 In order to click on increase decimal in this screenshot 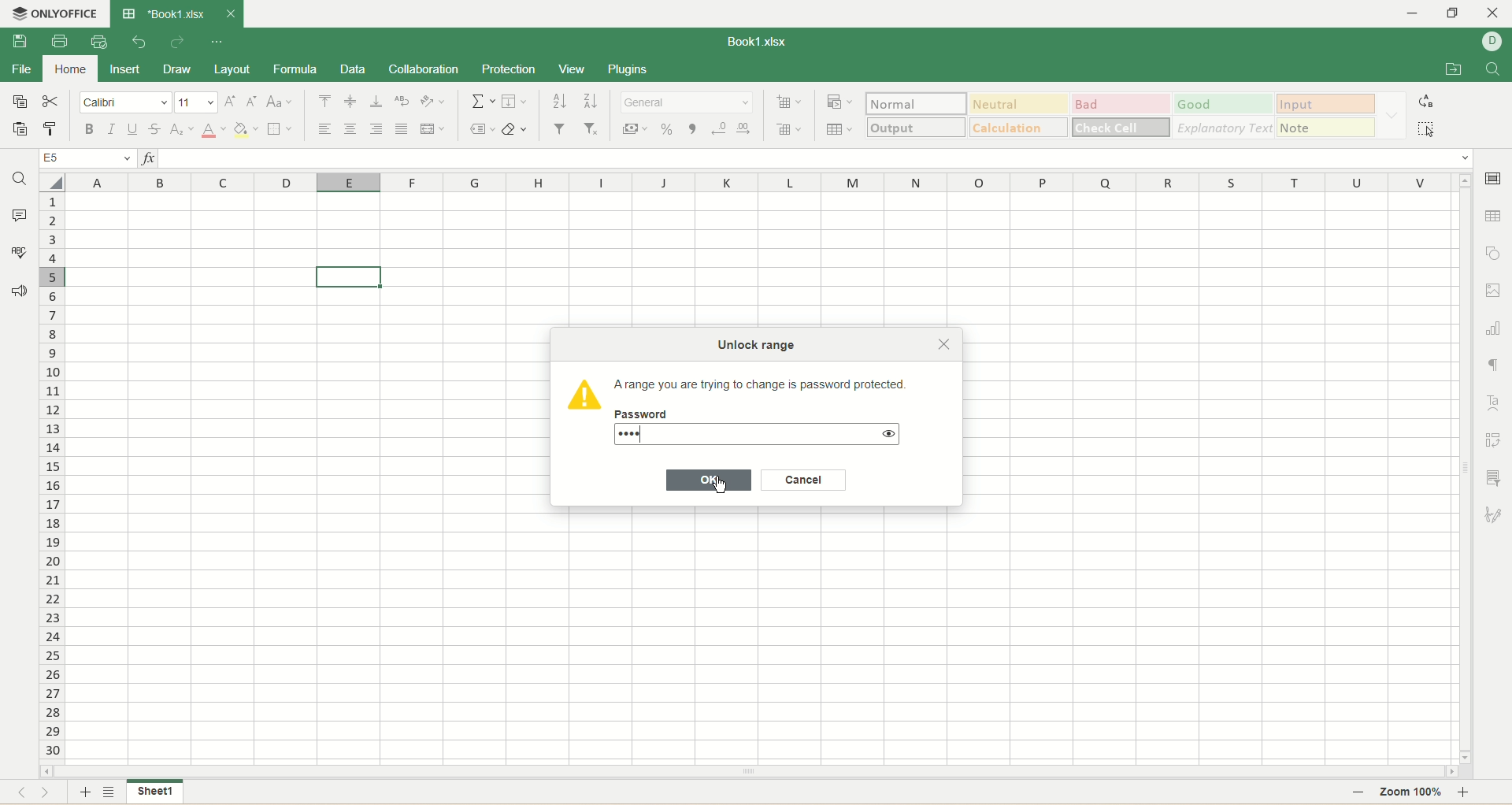, I will do `click(743, 128)`.